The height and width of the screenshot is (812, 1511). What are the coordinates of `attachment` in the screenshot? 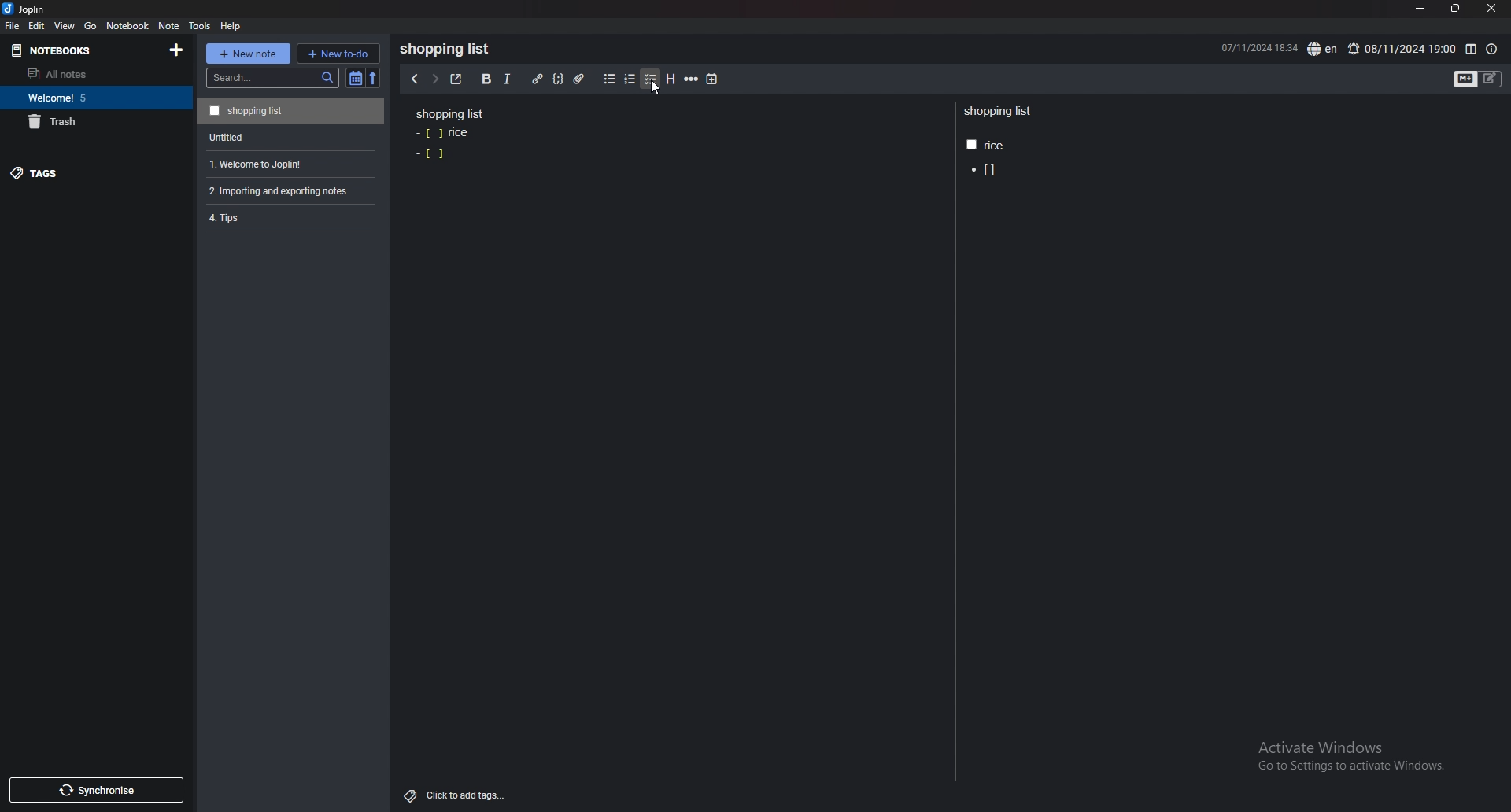 It's located at (582, 79).